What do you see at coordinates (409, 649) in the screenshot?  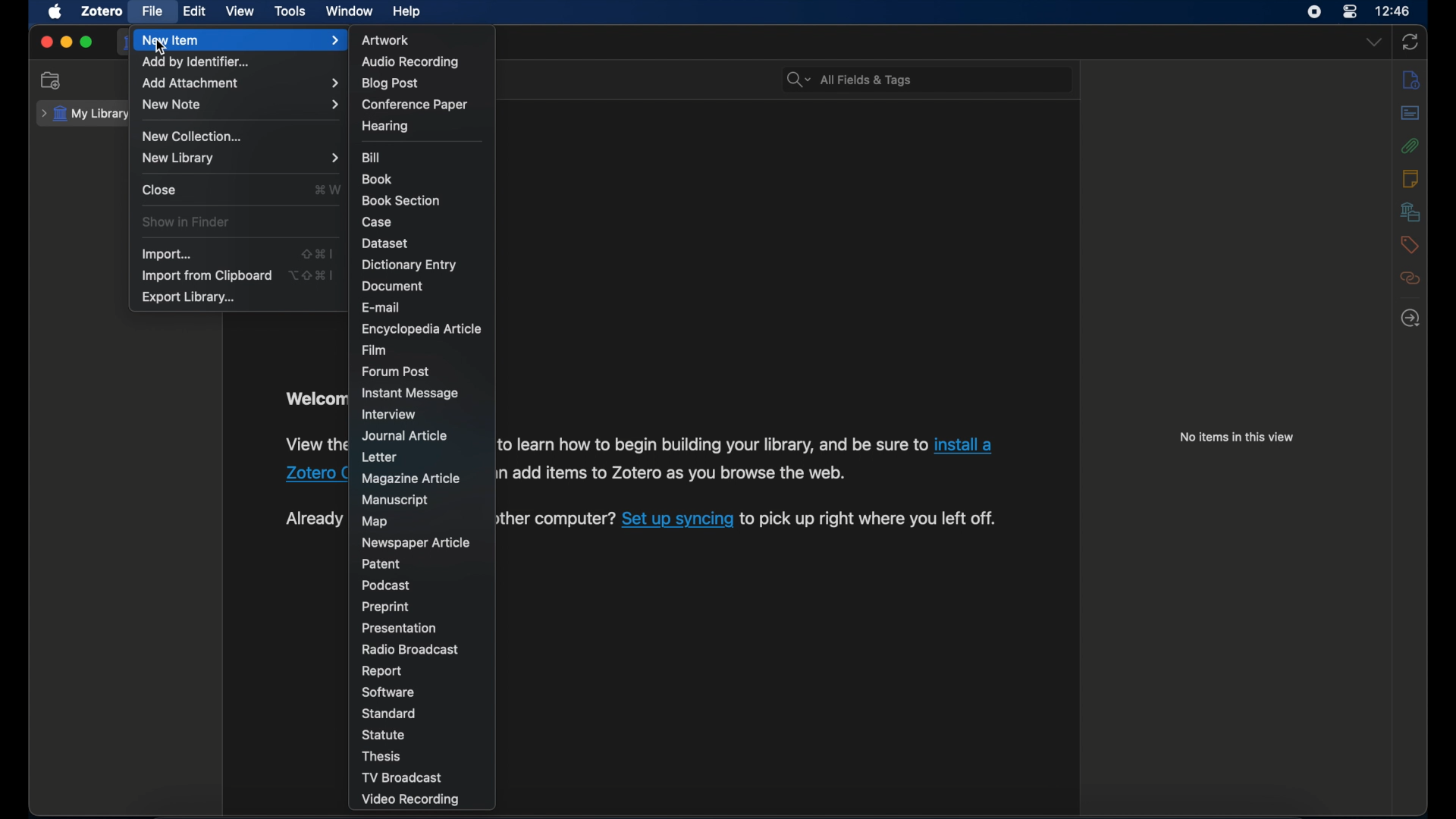 I see `radio broadcast` at bounding box center [409, 649].